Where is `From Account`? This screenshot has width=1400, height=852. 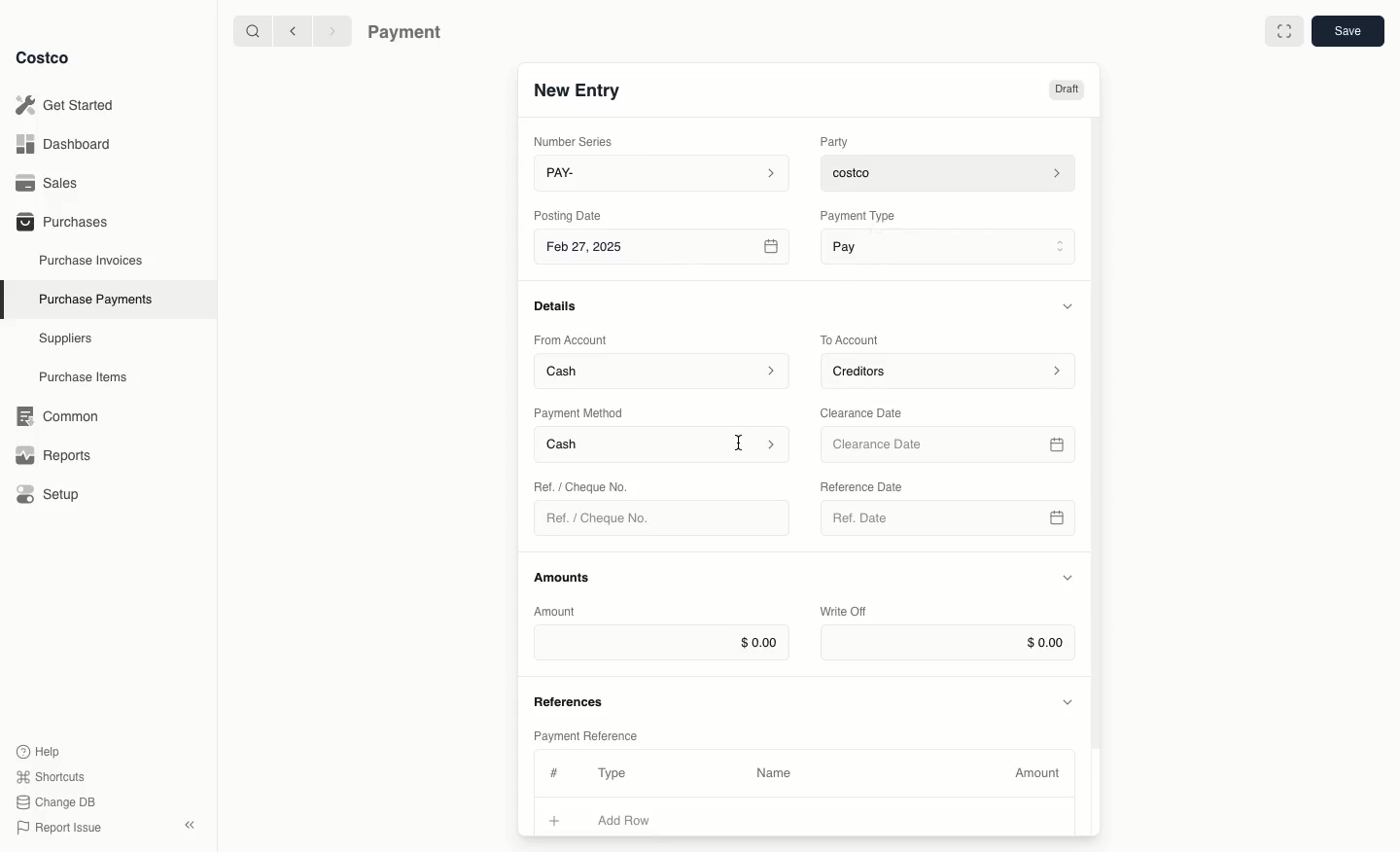 From Account is located at coordinates (571, 339).